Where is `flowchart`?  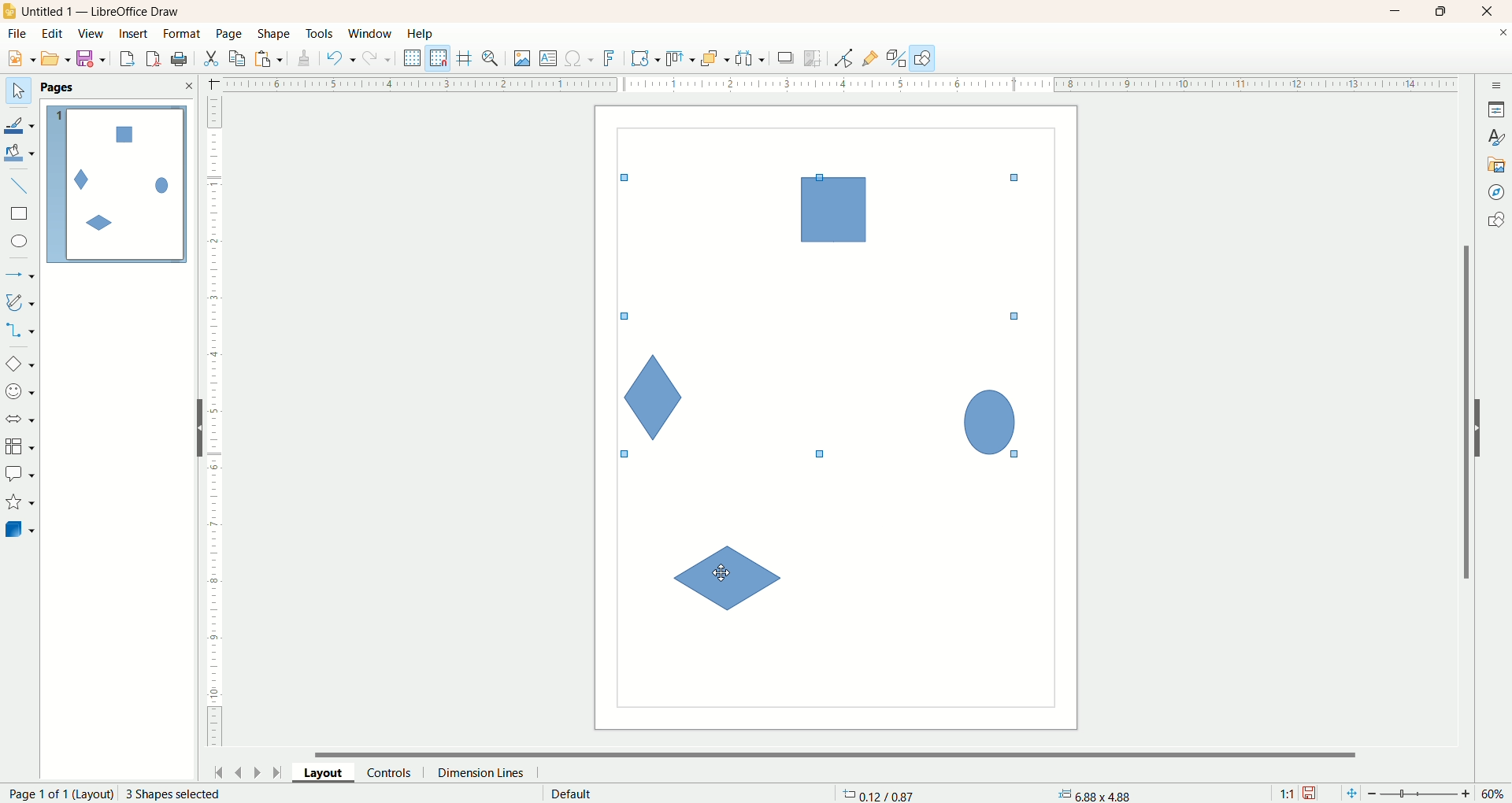
flowchart is located at coordinates (20, 447).